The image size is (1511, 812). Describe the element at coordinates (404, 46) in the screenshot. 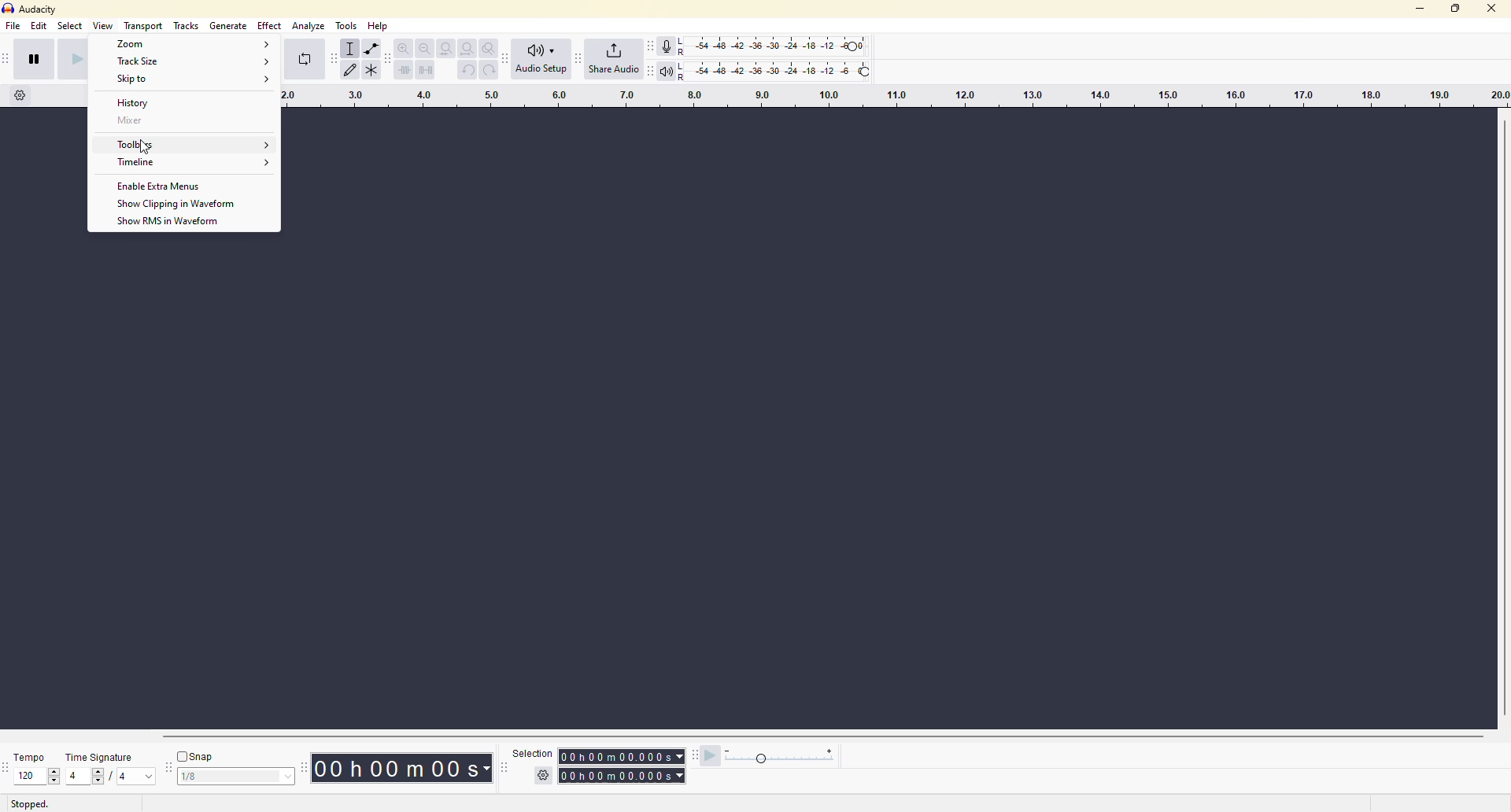

I see `zoom in` at that location.